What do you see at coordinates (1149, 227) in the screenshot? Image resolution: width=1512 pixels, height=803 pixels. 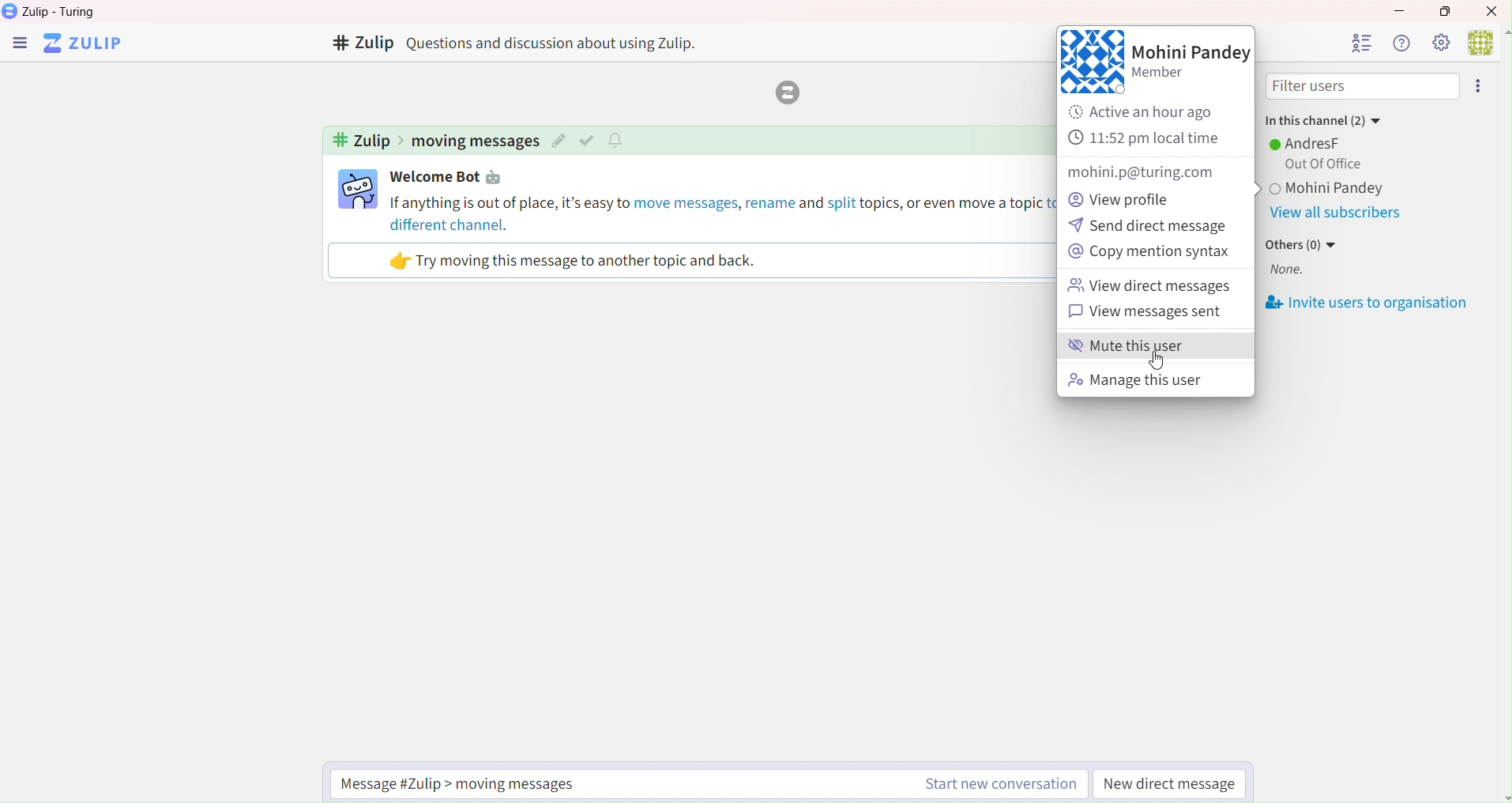 I see `send direct message` at bounding box center [1149, 227].